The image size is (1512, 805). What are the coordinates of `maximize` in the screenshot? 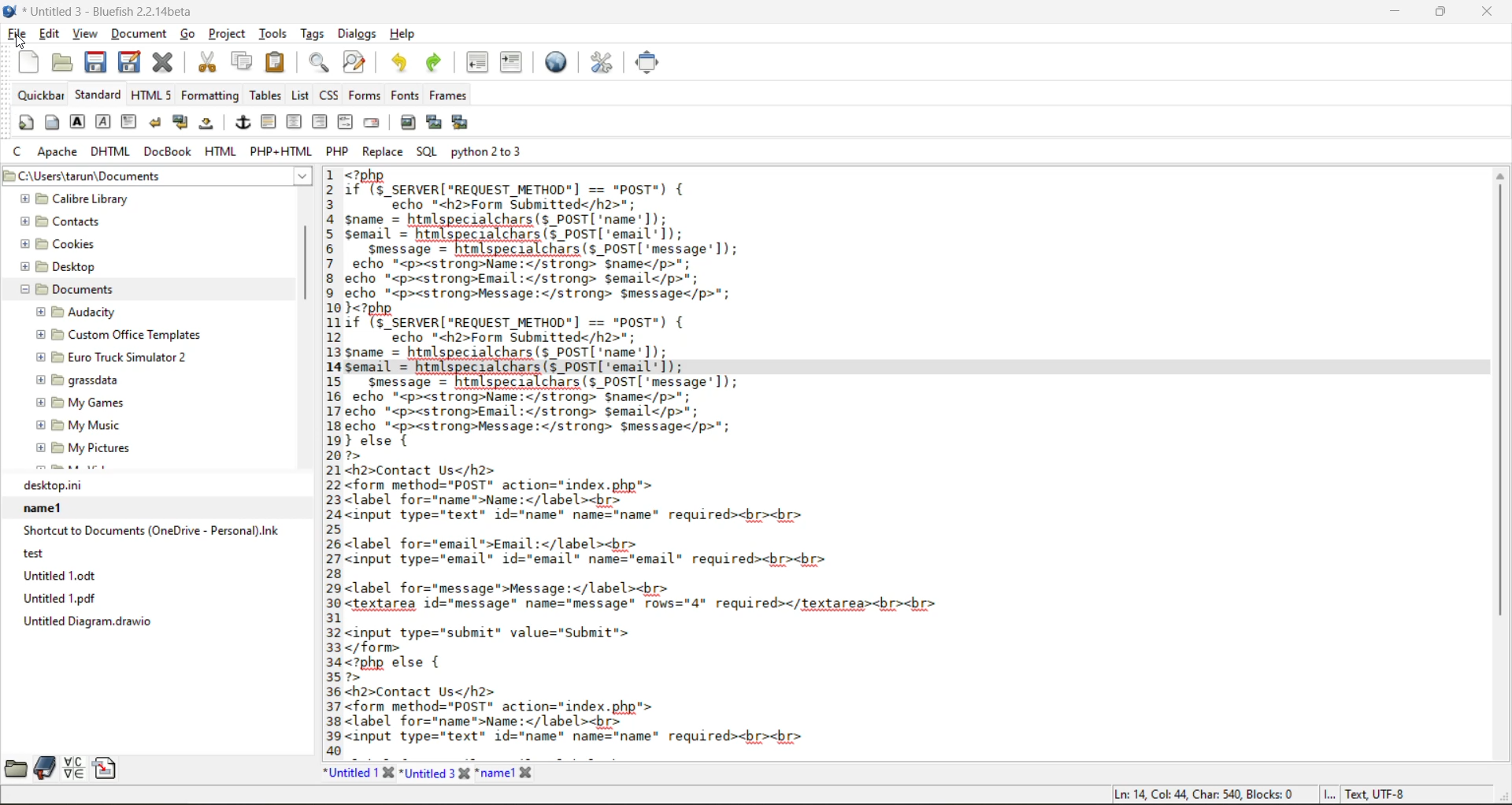 It's located at (1442, 14).